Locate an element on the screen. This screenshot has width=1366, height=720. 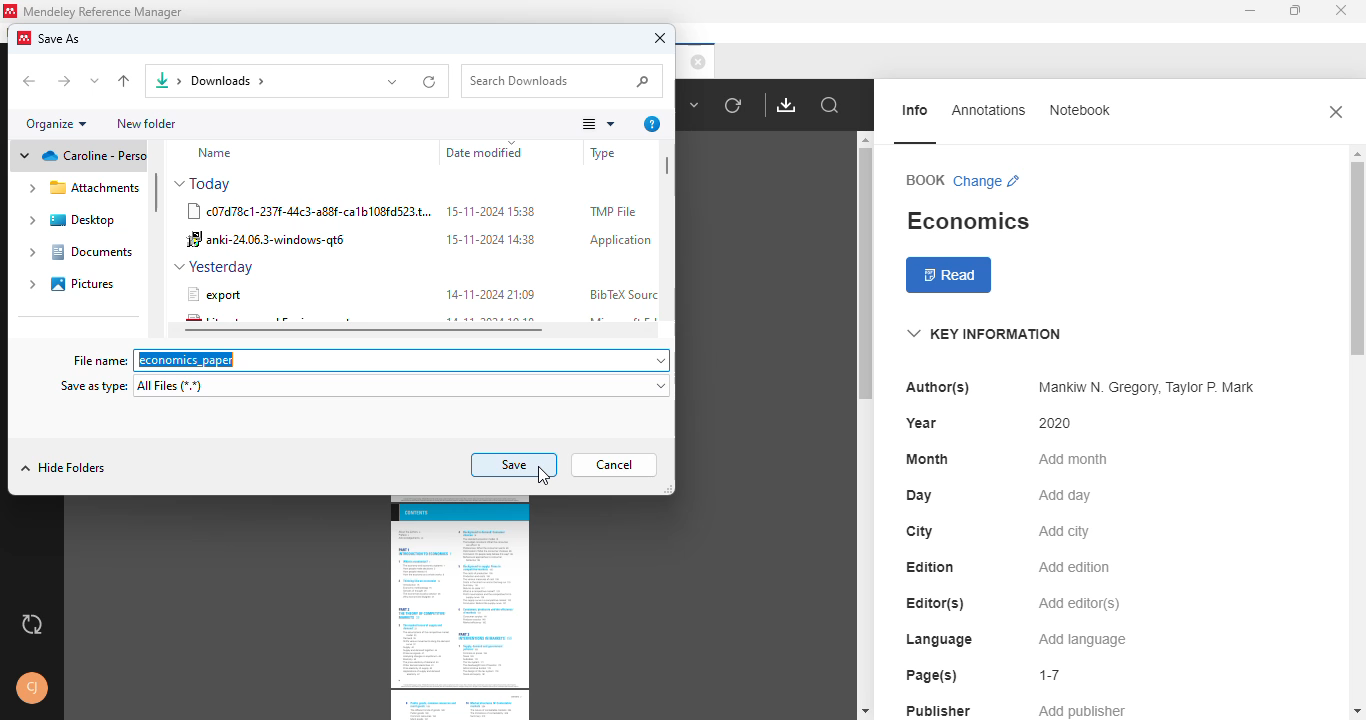
city is located at coordinates (919, 531).